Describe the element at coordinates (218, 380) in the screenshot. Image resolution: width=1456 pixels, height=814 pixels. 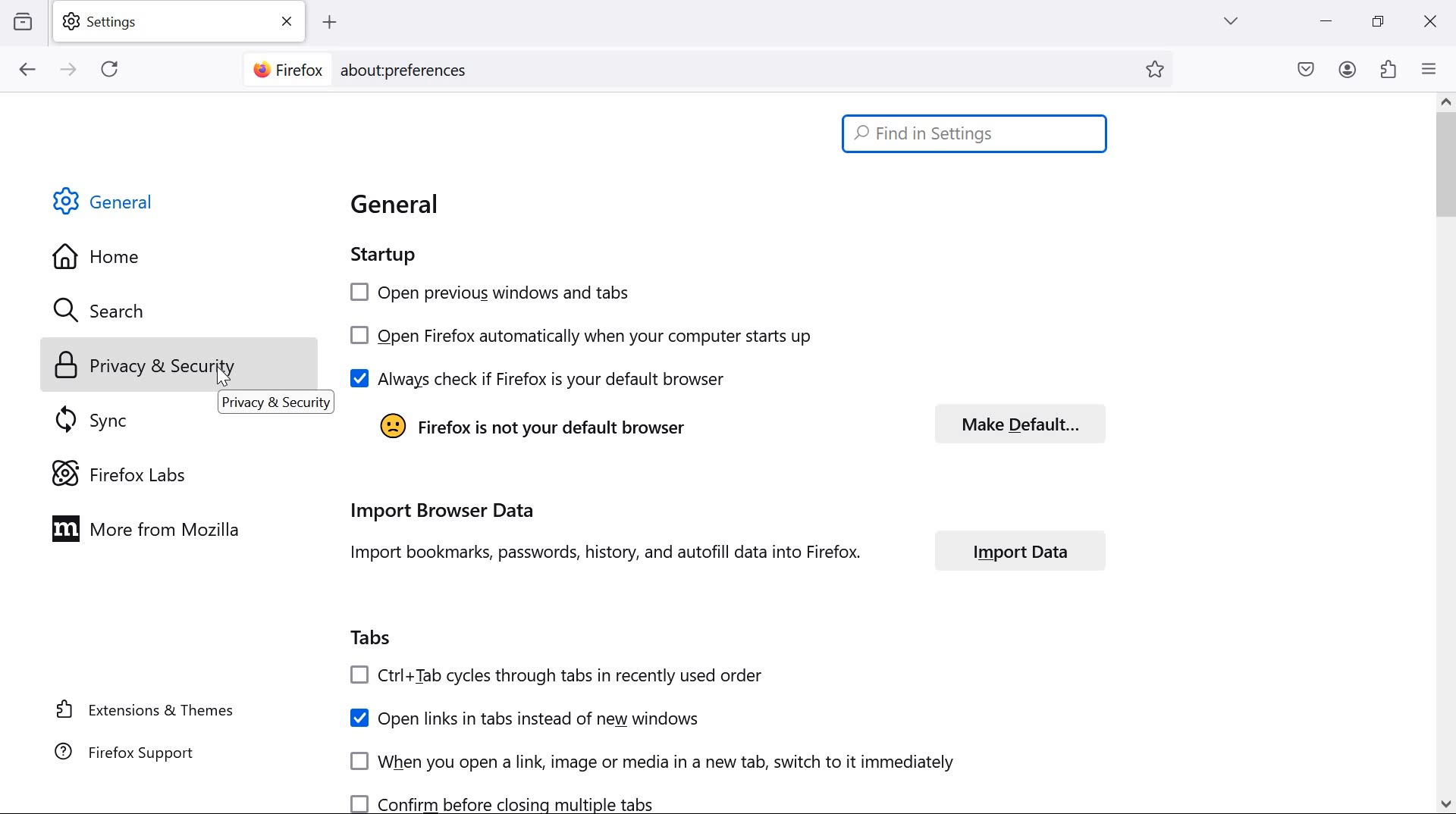
I see `cursor` at that location.